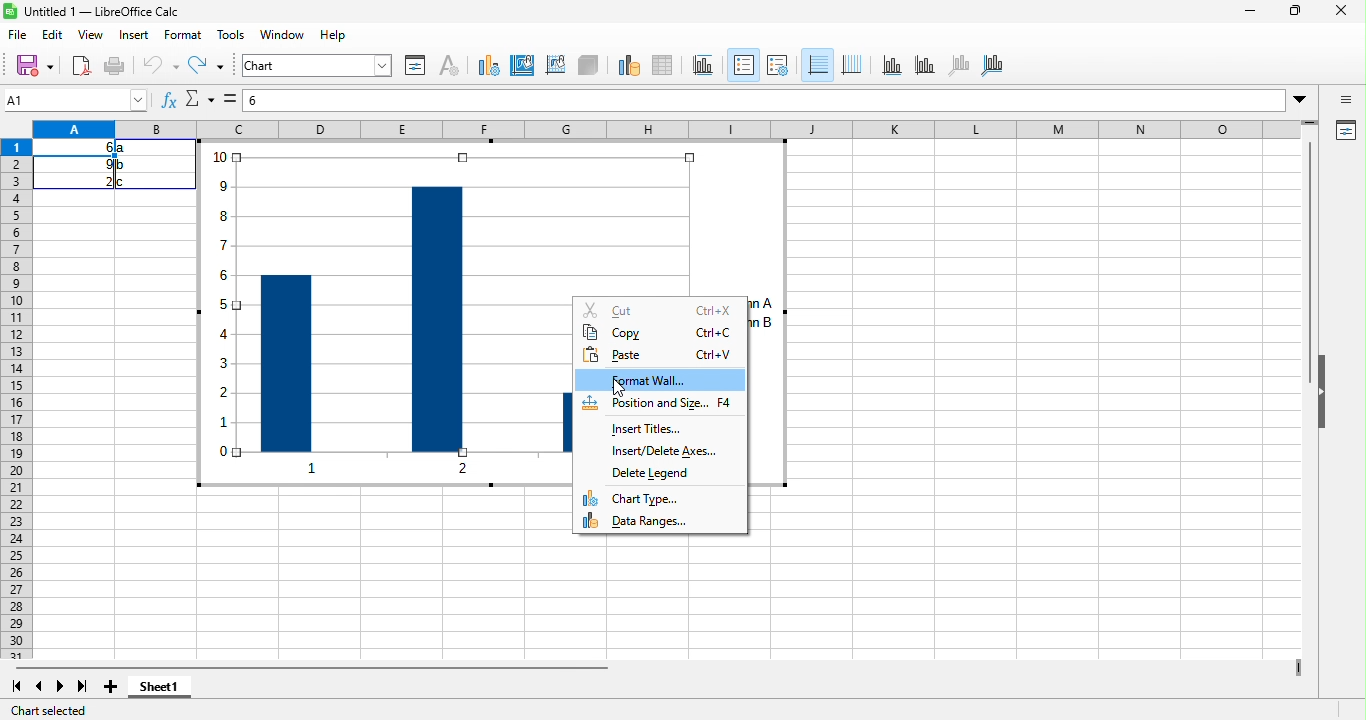 The width and height of the screenshot is (1366, 720). Describe the element at coordinates (666, 66) in the screenshot. I see `data table` at that location.